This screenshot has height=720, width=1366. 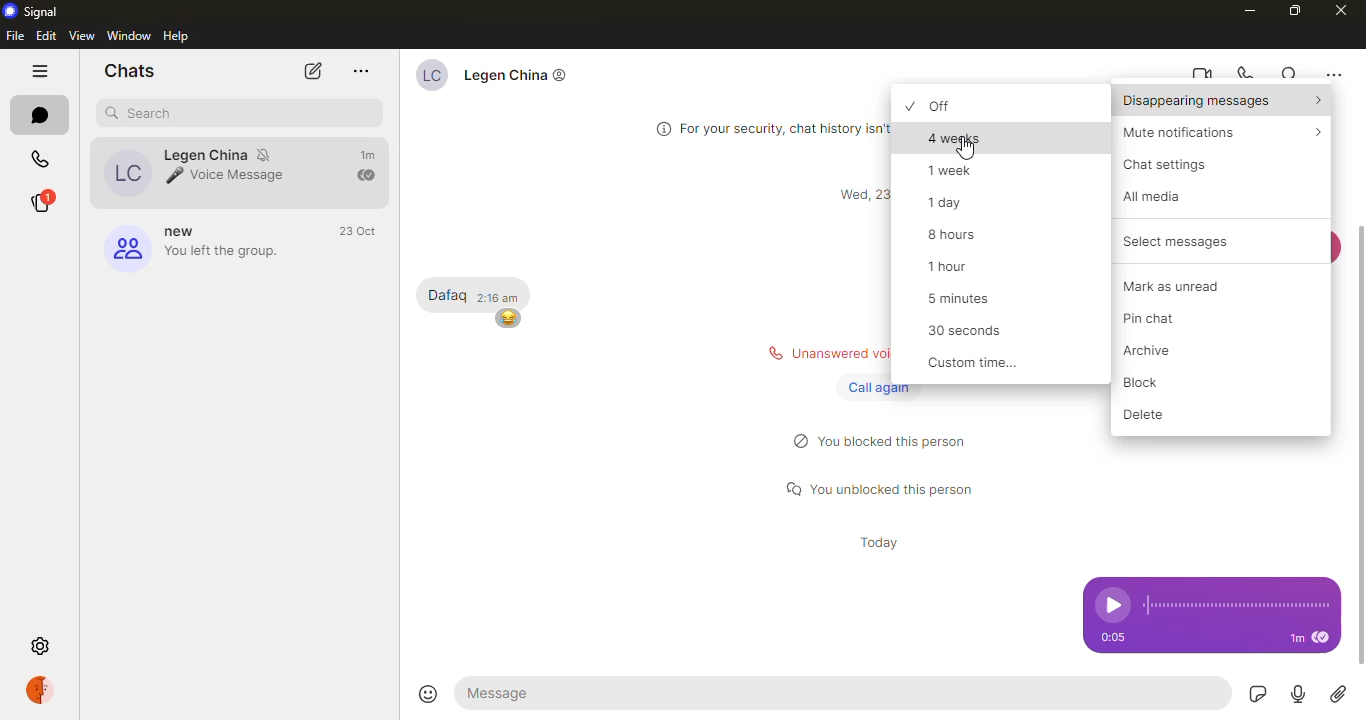 I want to click on contact, so click(x=202, y=172).